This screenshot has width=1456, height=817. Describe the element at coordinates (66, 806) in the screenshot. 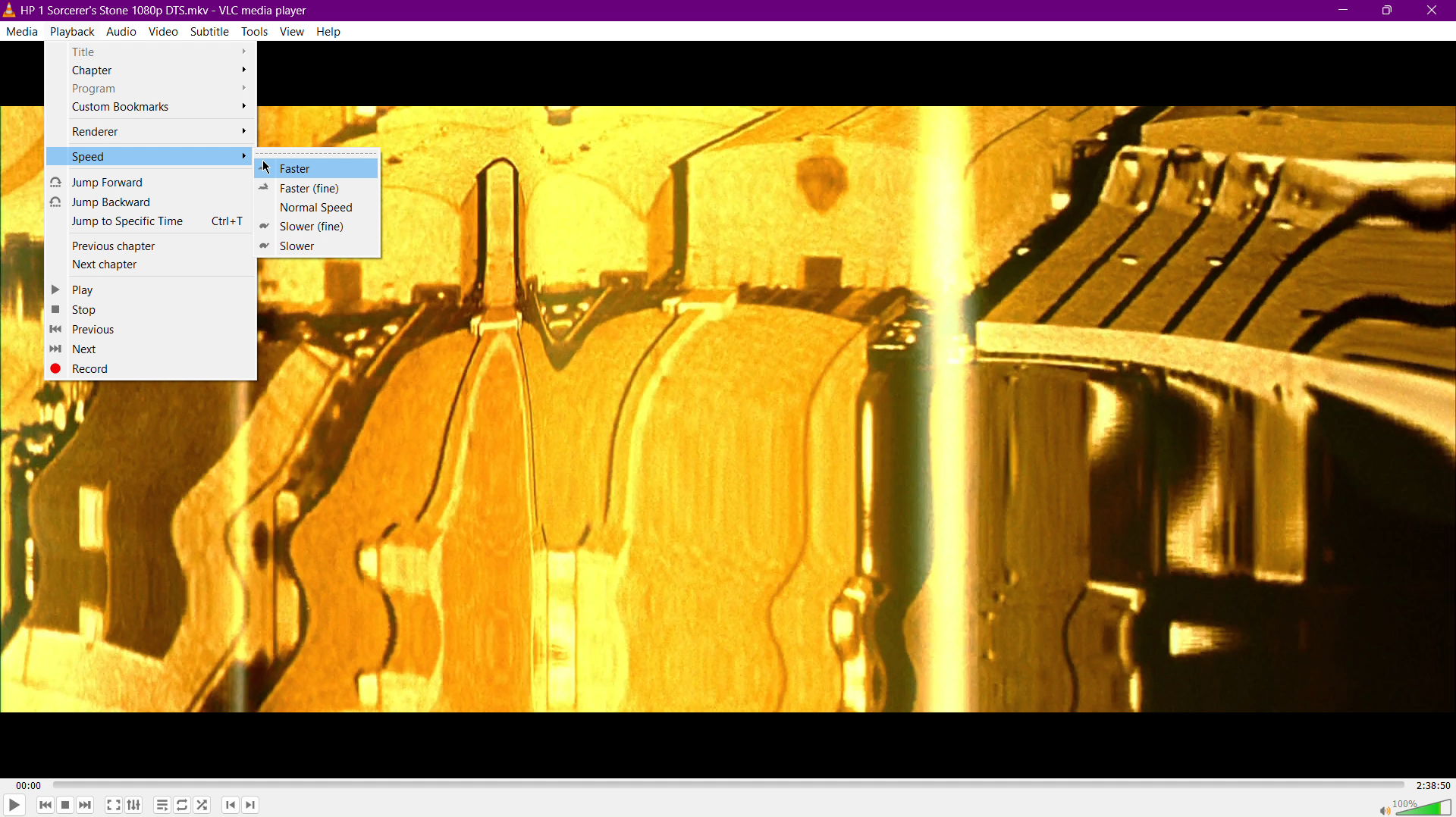

I see `Stop` at that location.